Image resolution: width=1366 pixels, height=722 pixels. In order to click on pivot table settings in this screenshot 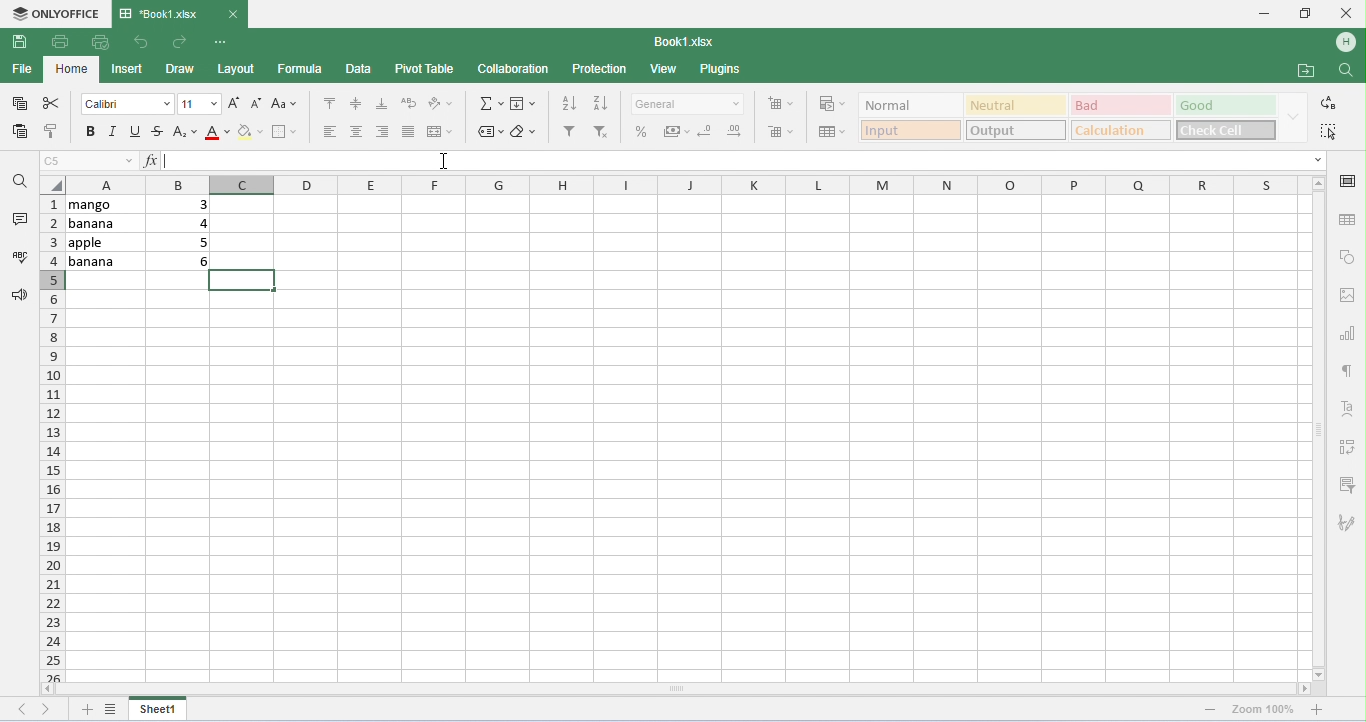, I will do `click(1346, 446)`.